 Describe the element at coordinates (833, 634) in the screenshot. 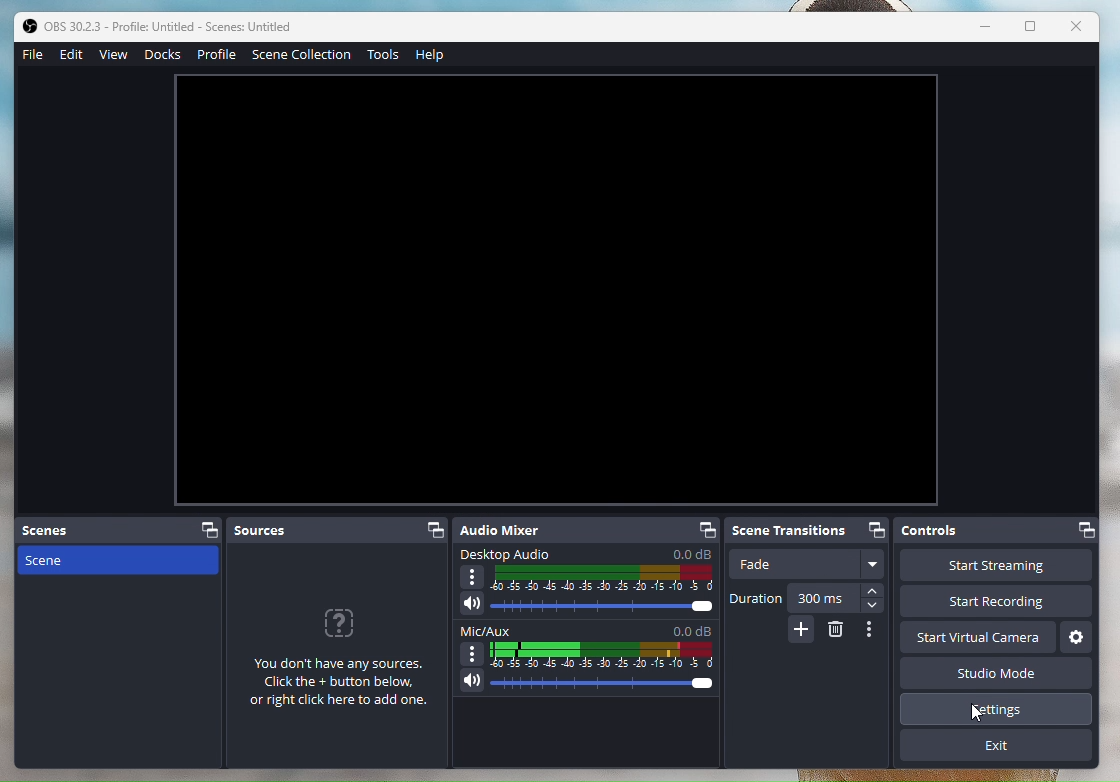

I see `Erase` at that location.